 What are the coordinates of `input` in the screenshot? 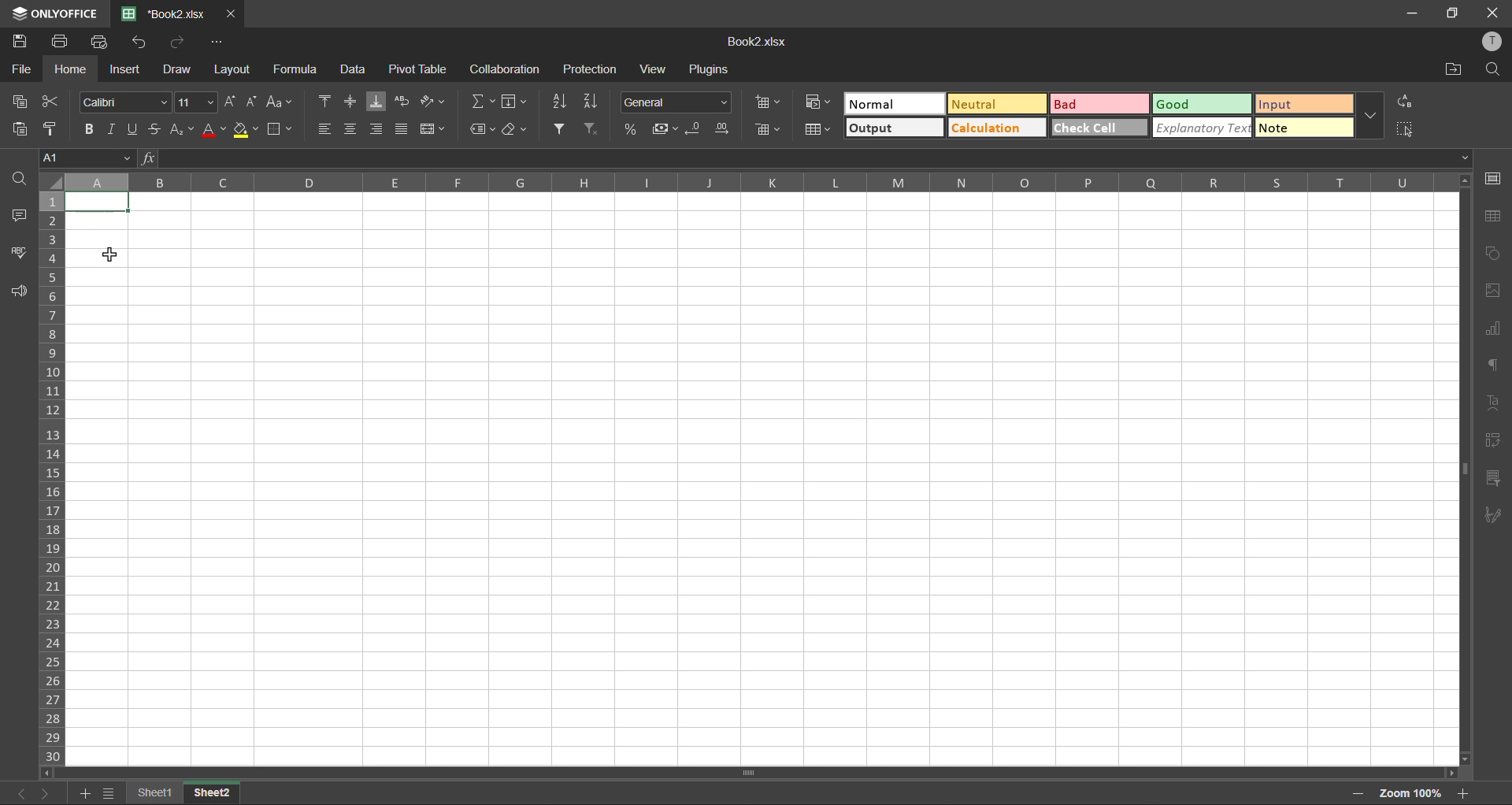 It's located at (1301, 105).